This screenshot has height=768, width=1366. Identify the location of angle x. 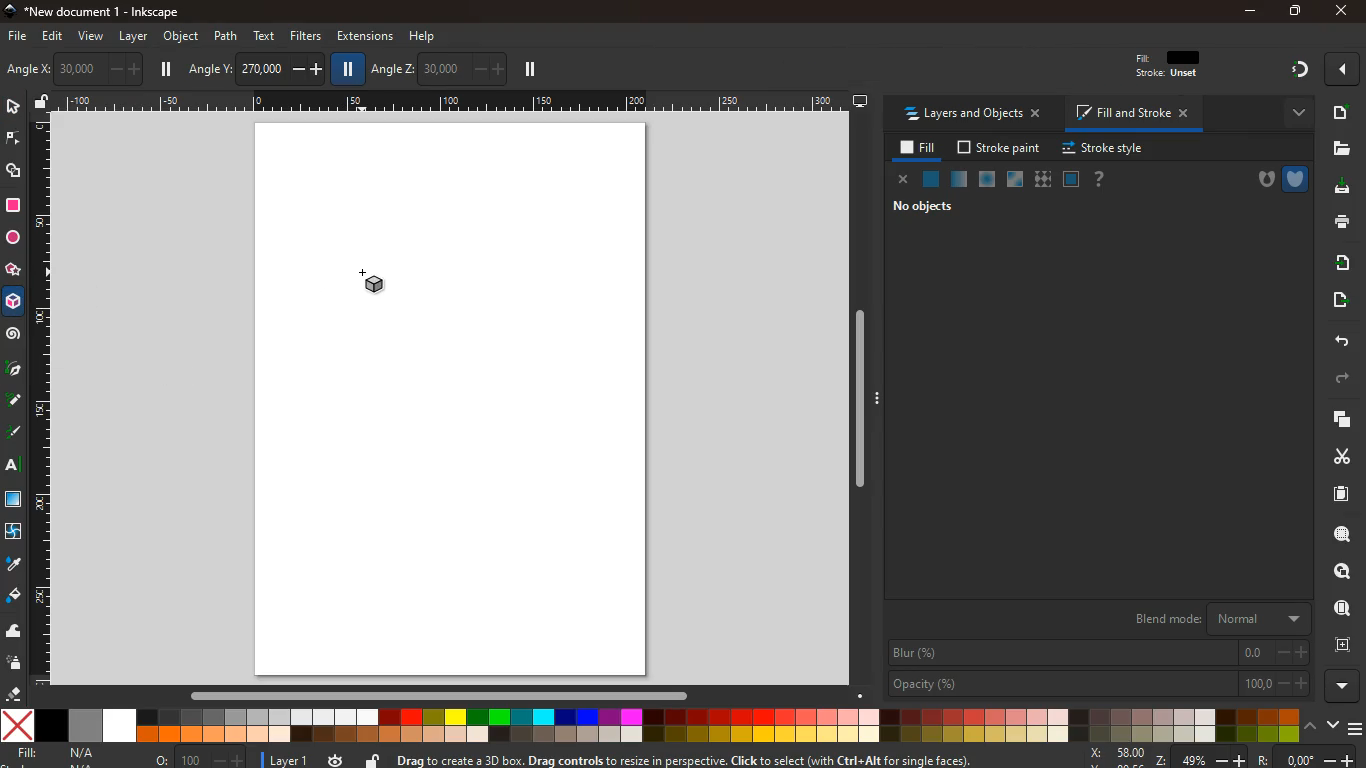
(89, 67).